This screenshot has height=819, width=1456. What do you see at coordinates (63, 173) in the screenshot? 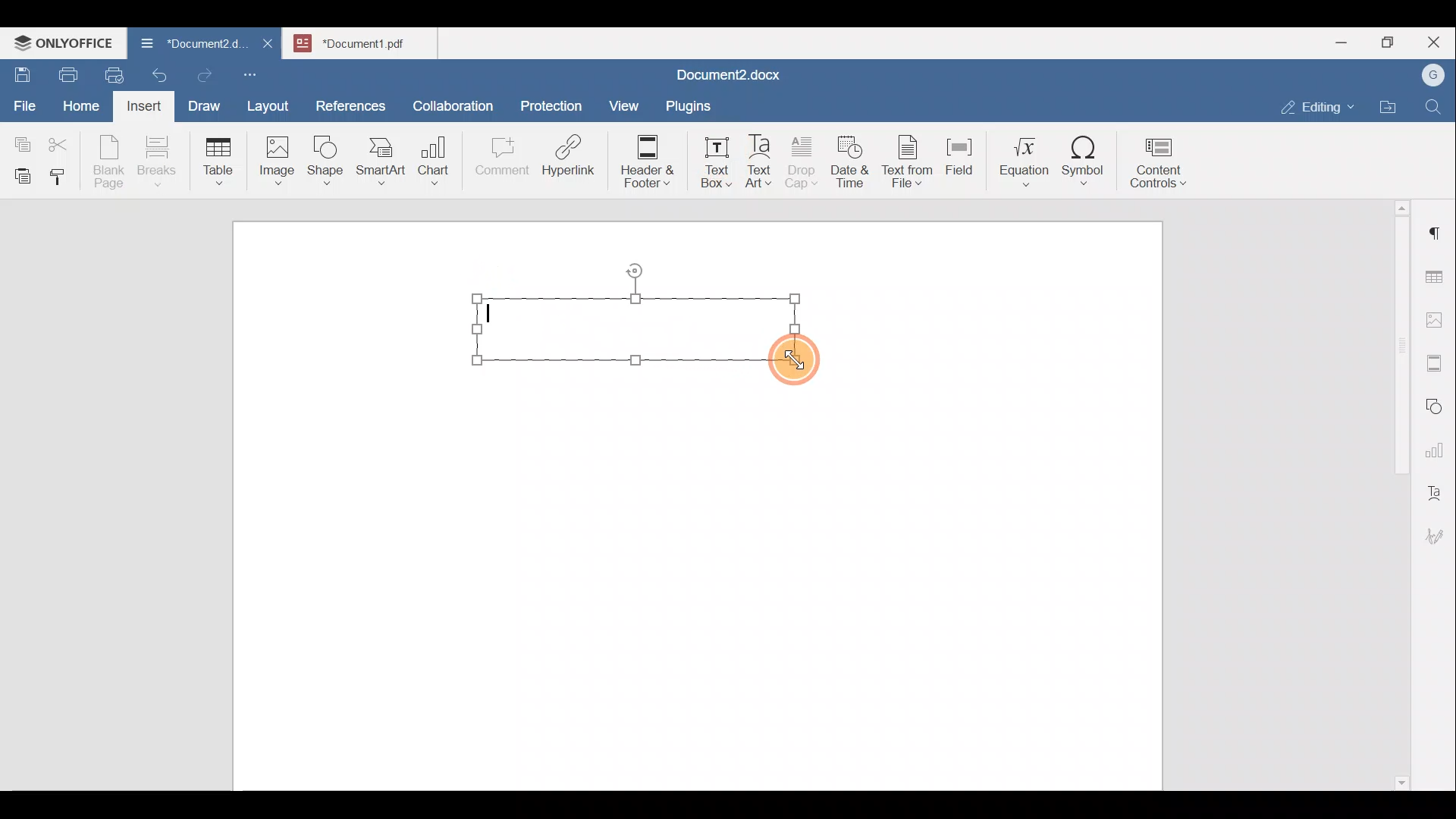
I see `Copy style` at bounding box center [63, 173].